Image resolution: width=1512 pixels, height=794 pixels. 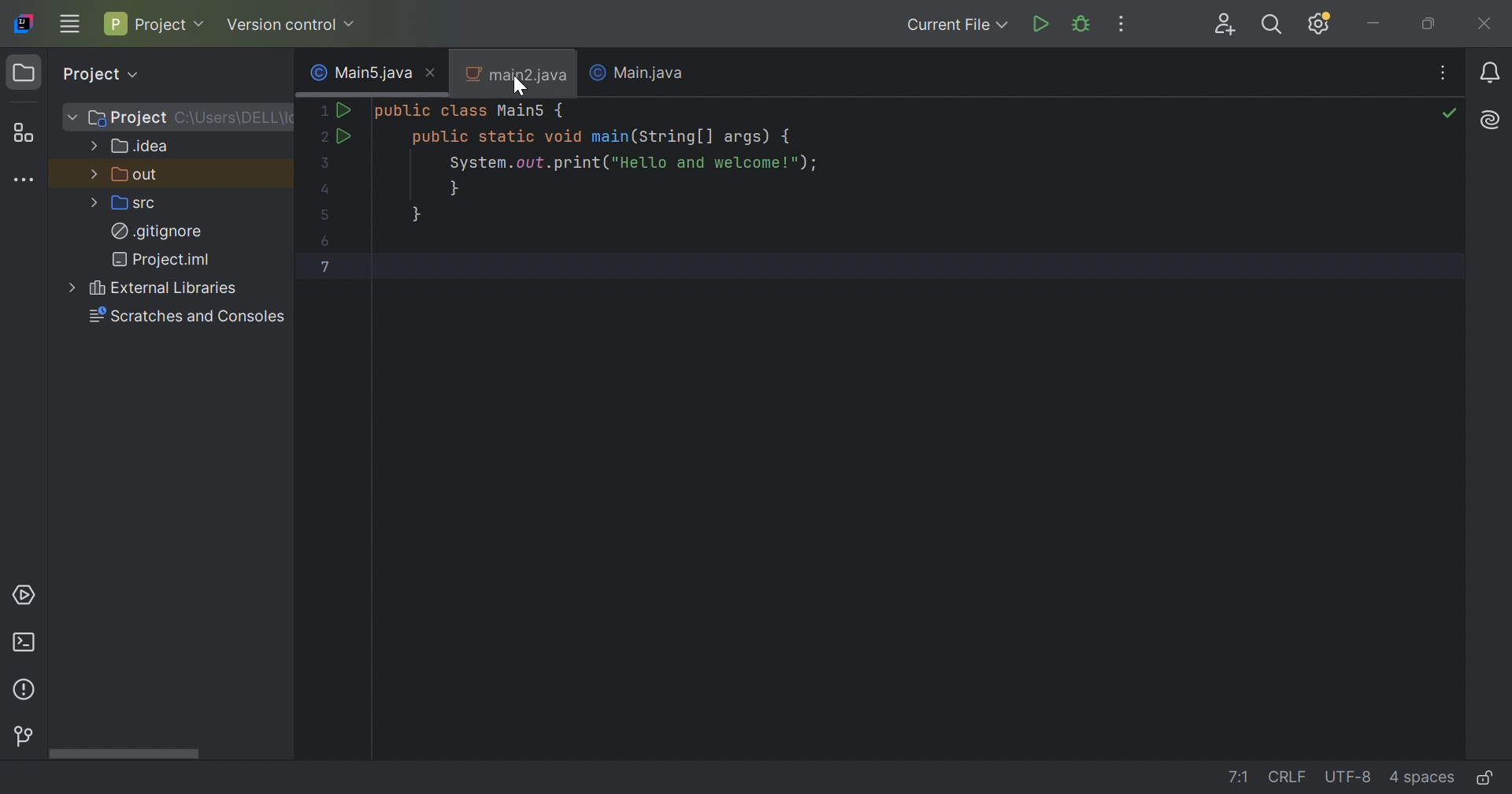 I want to click on Main menu, so click(x=67, y=25).